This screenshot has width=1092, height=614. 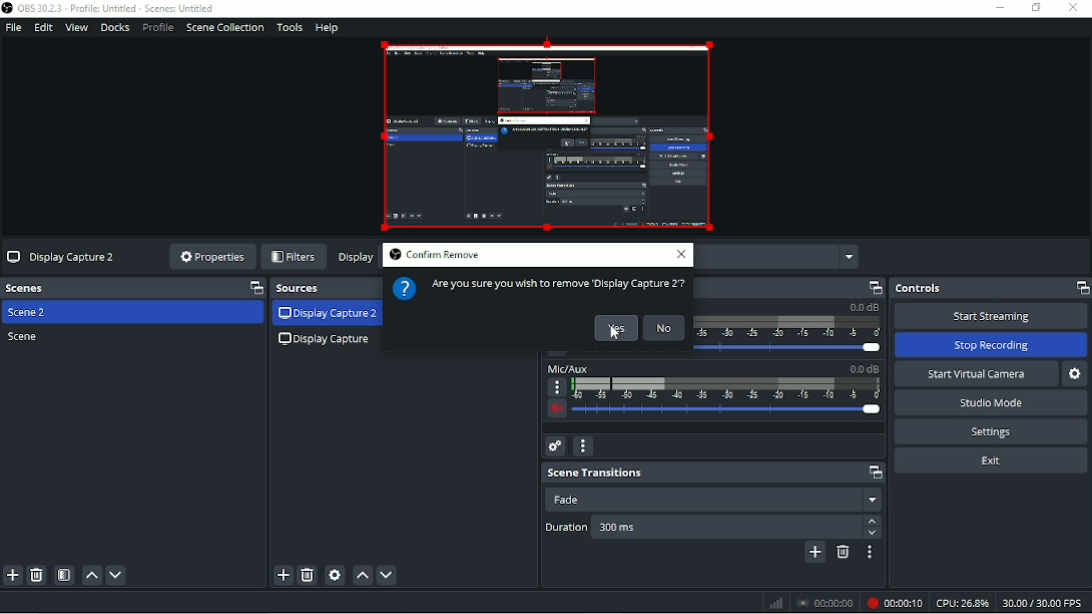 I want to click on Yes, so click(x=615, y=328).